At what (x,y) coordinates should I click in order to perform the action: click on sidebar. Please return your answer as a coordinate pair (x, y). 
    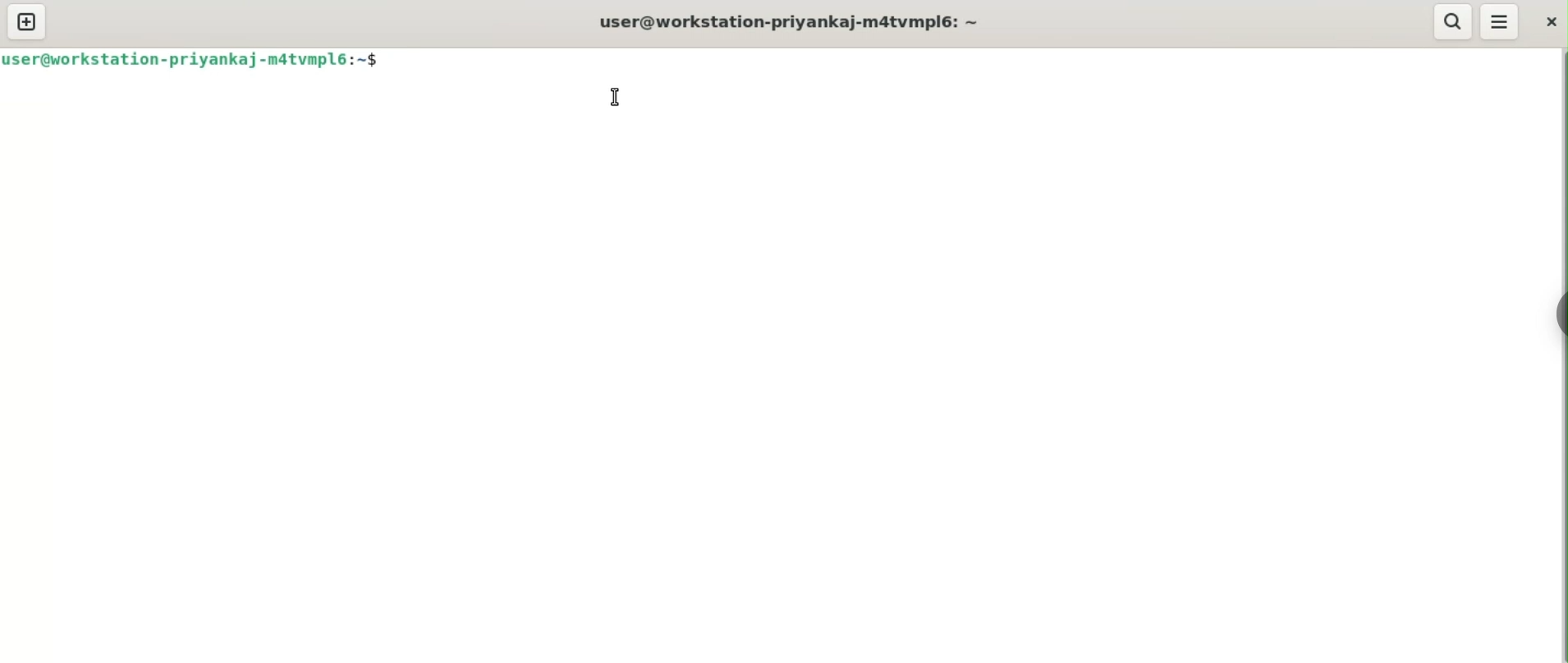
    Looking at the image, I should click on (1558, 318).